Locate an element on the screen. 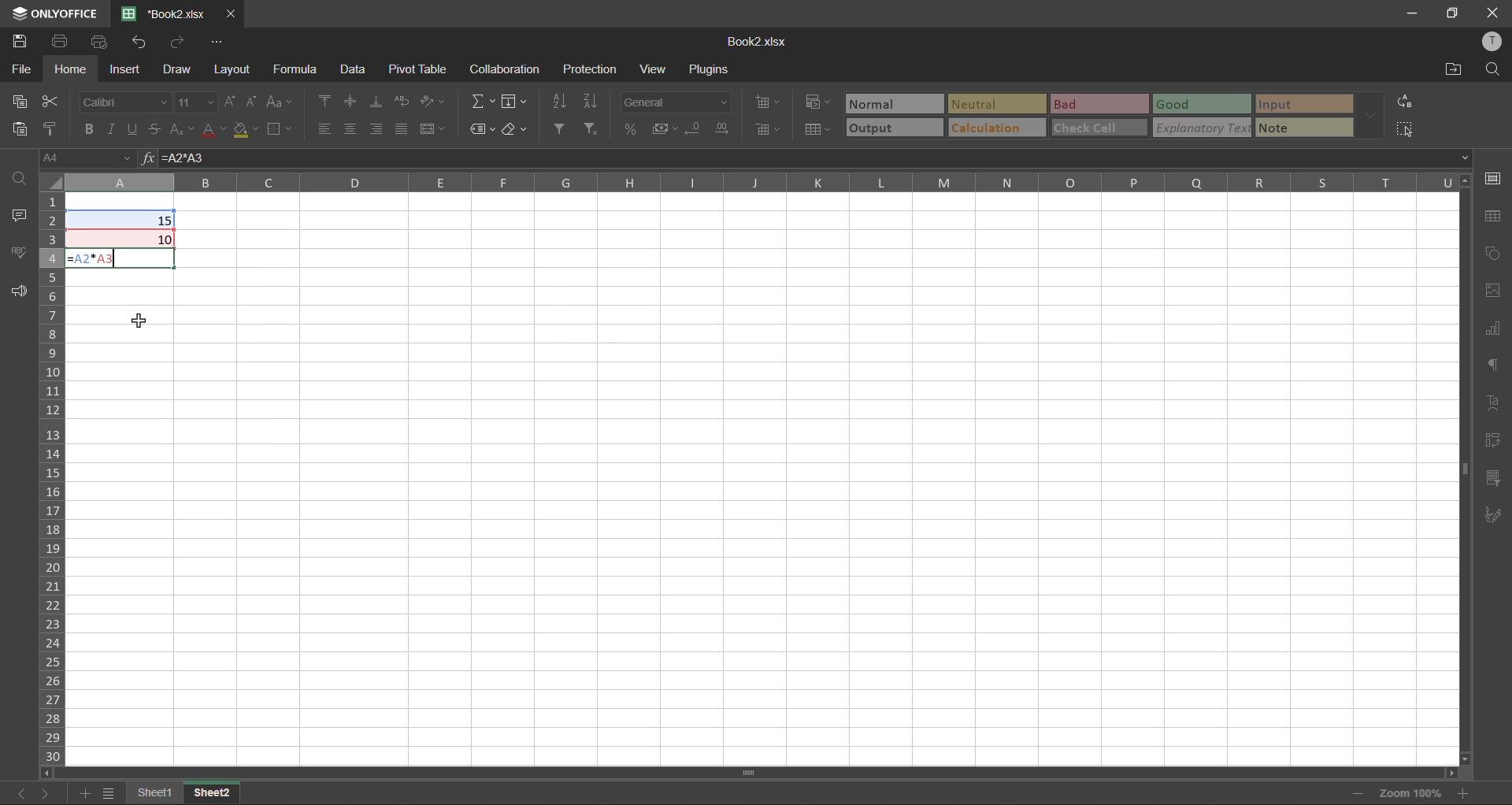 Image resolution: width=1512 pixels, height=805 pixels. open location is located at coordinates (1451, 68).